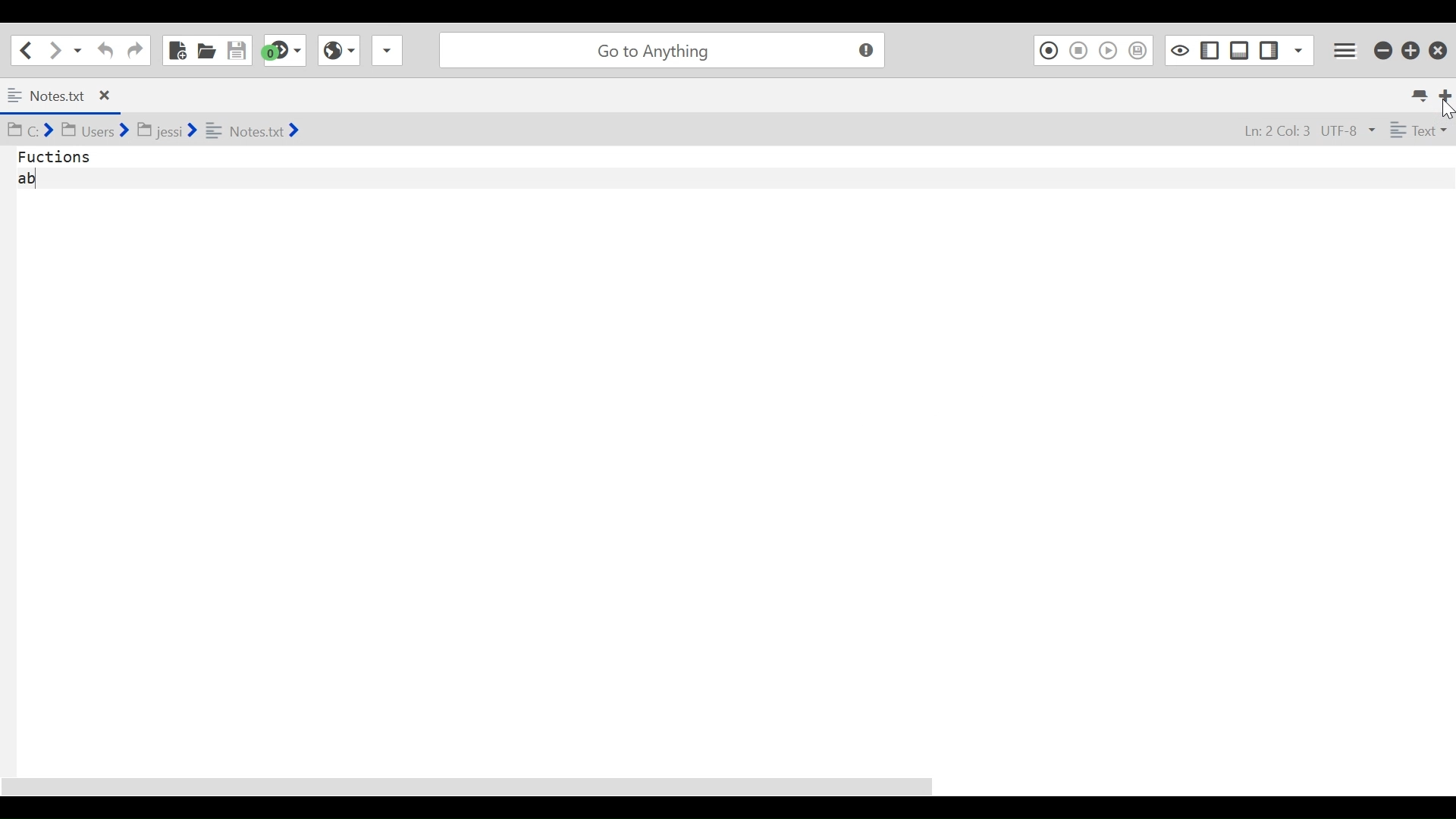 Image resolution: width=1456 pixels, height=819 pixels. Describe the element at coordinates (1109, 50) in the screenshot. I see `Play Last Macro` at that location.